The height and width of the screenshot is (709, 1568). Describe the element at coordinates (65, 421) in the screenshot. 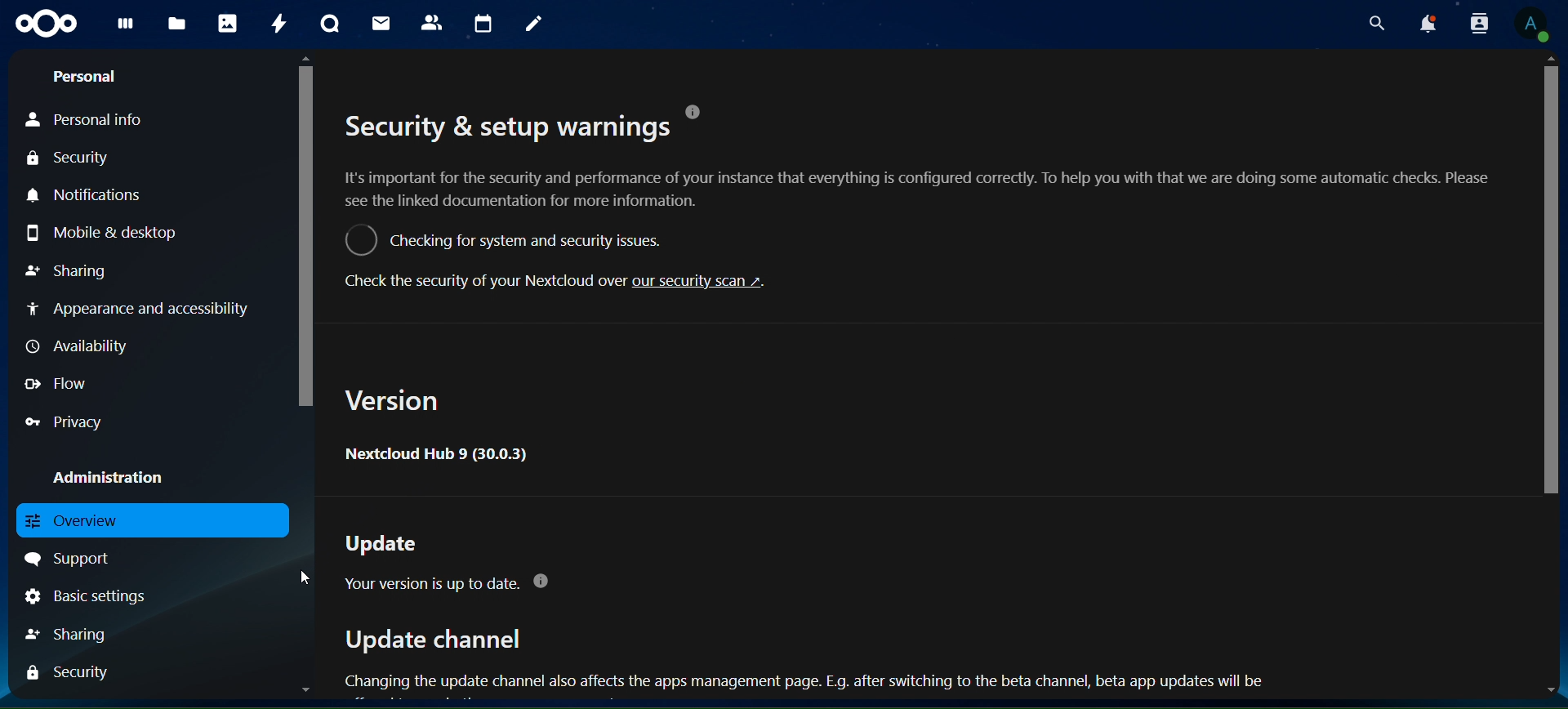

I see `privacy` at that location.